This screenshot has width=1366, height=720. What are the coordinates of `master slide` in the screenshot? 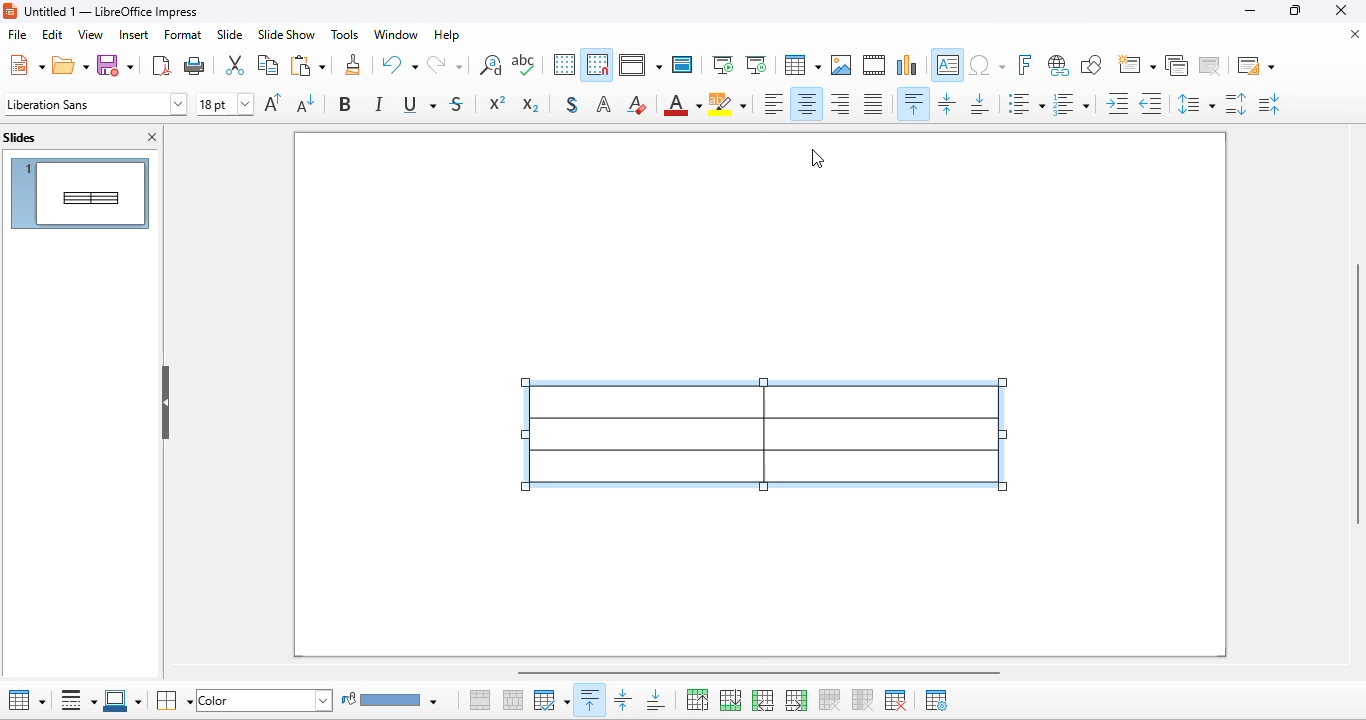 It's located at (682, 64).